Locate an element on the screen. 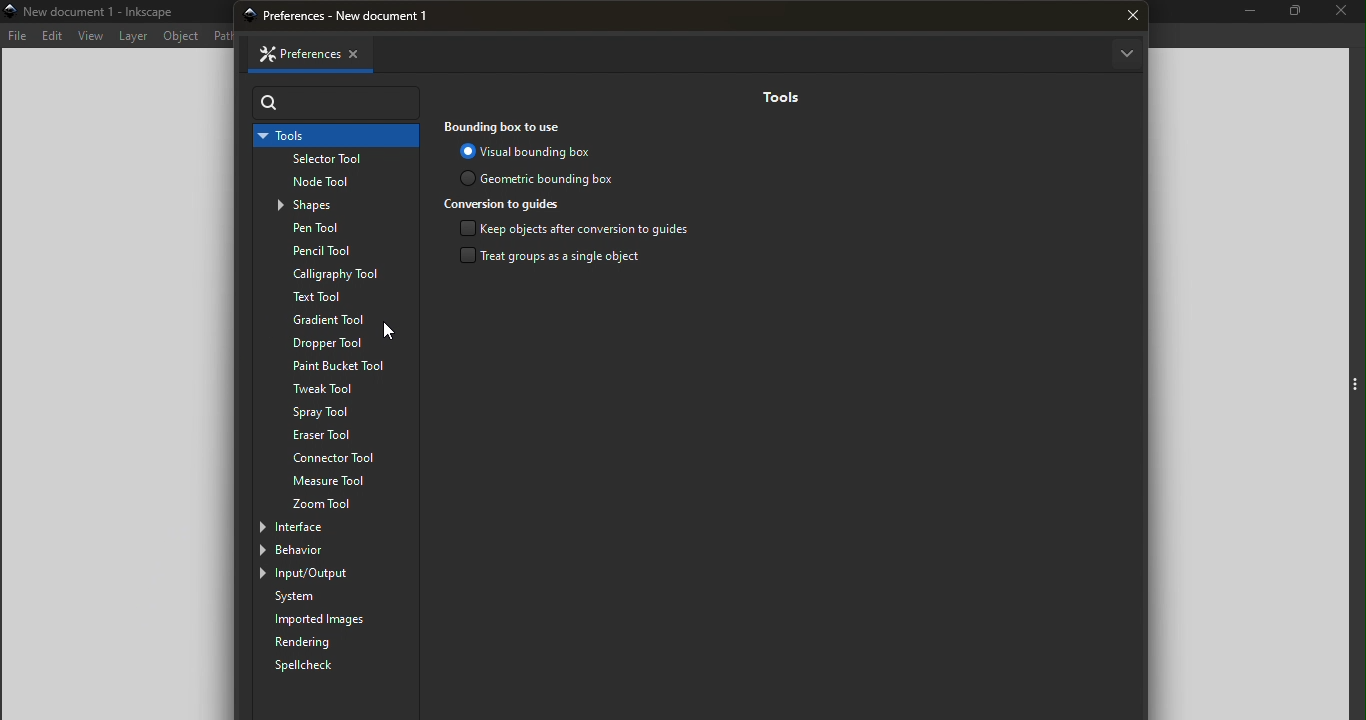  Bounding box to use is located at coordinates (510, 126).